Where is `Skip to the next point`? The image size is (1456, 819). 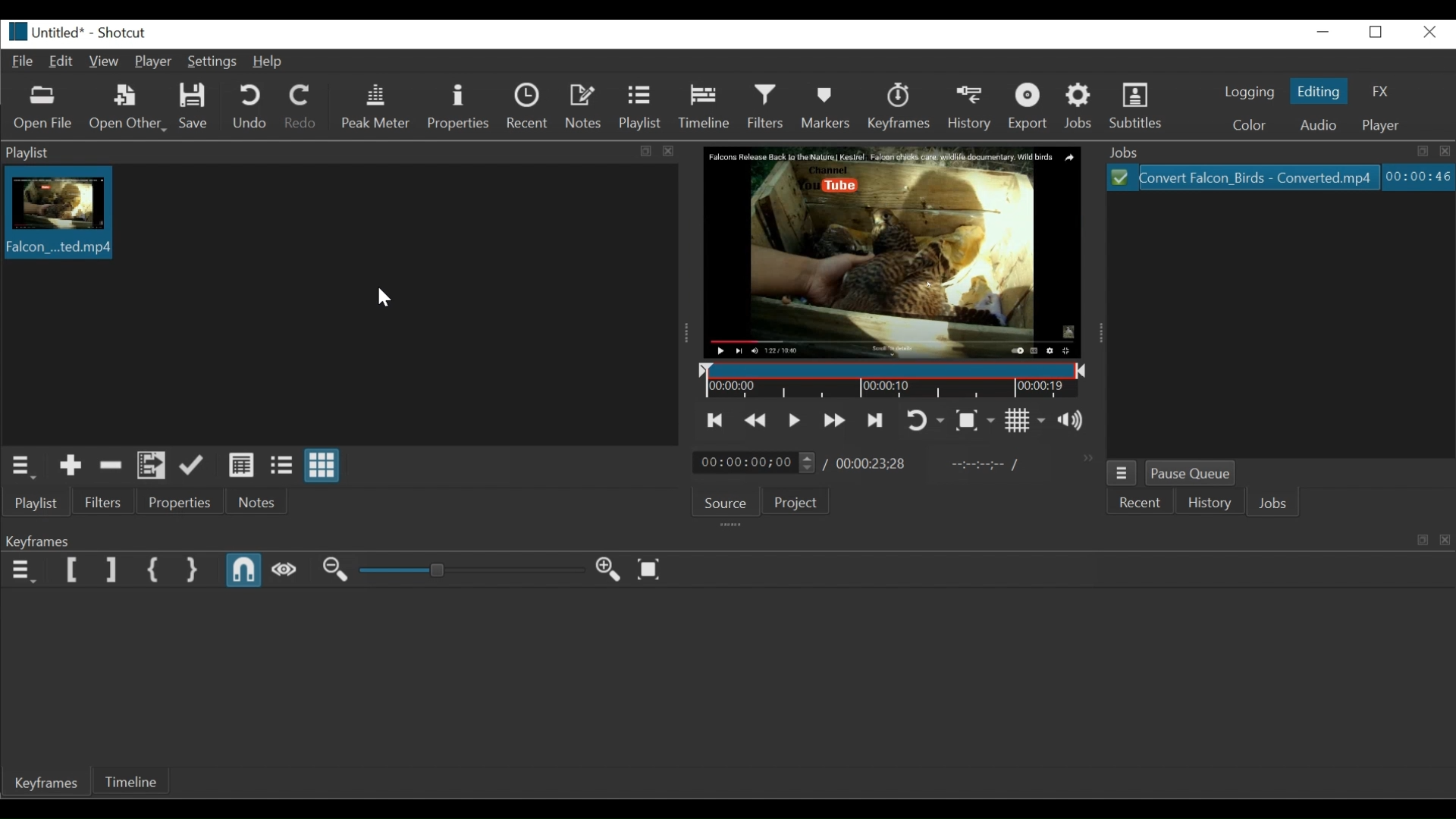
Skip to the next point is located at coordinates (876, 420).